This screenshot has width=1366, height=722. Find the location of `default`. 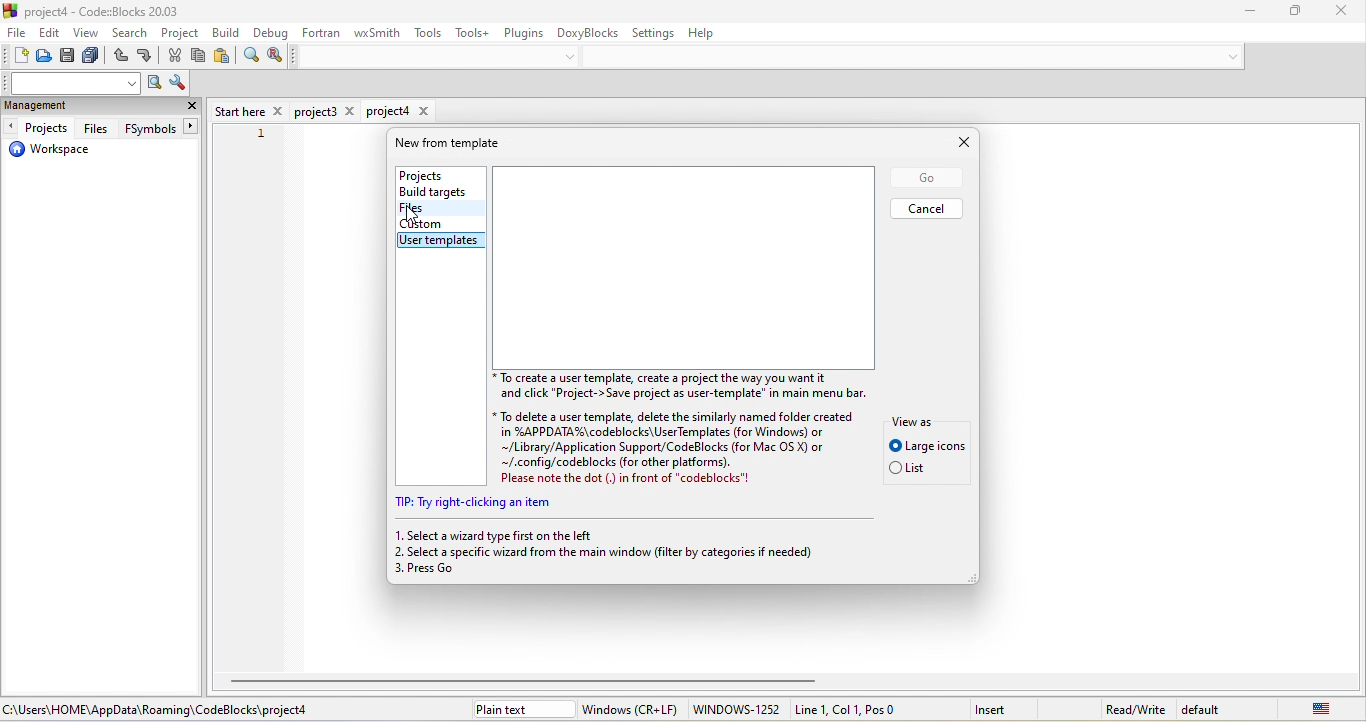

default is located at coordinates (1208, 710).